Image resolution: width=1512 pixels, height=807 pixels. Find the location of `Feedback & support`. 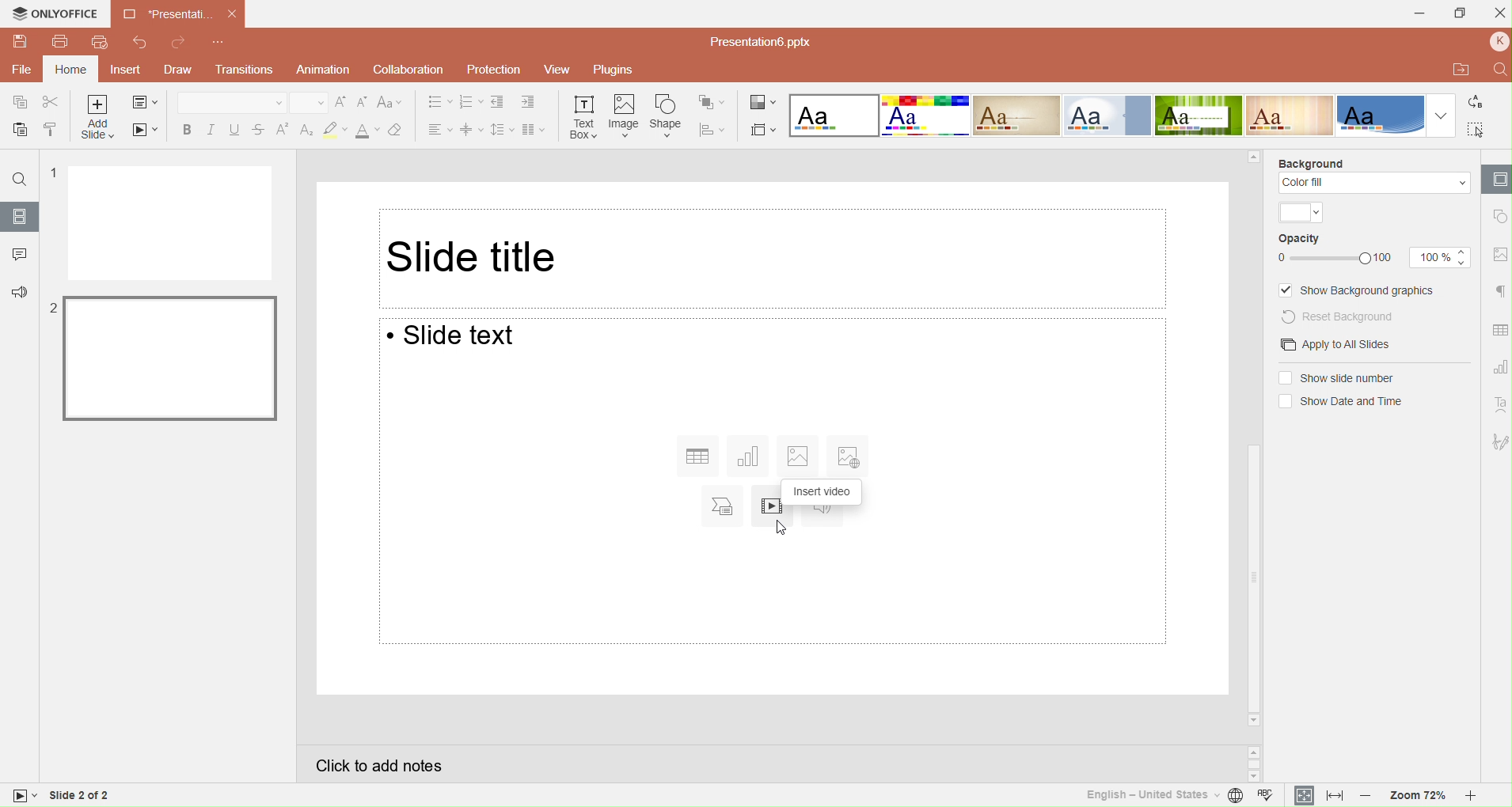

Feedback & support is located at coordinates (18, 292).